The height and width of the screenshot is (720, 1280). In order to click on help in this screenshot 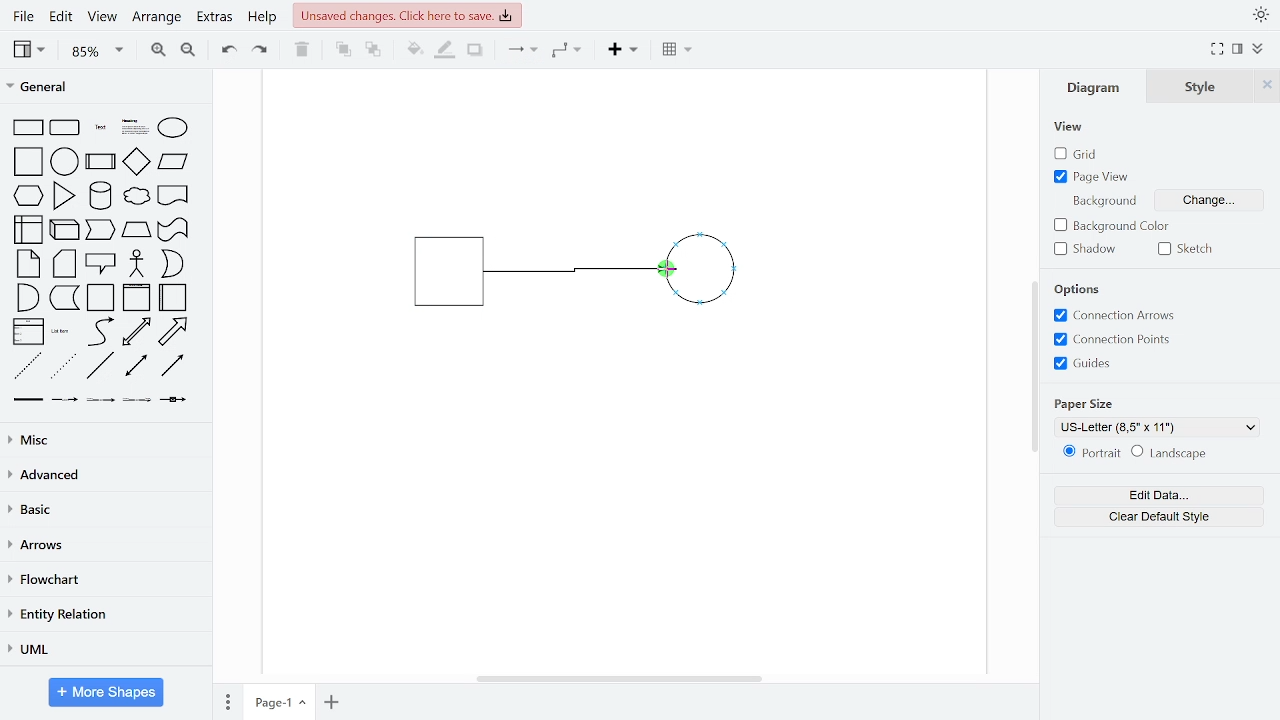, I will do `click(262, 18)`.